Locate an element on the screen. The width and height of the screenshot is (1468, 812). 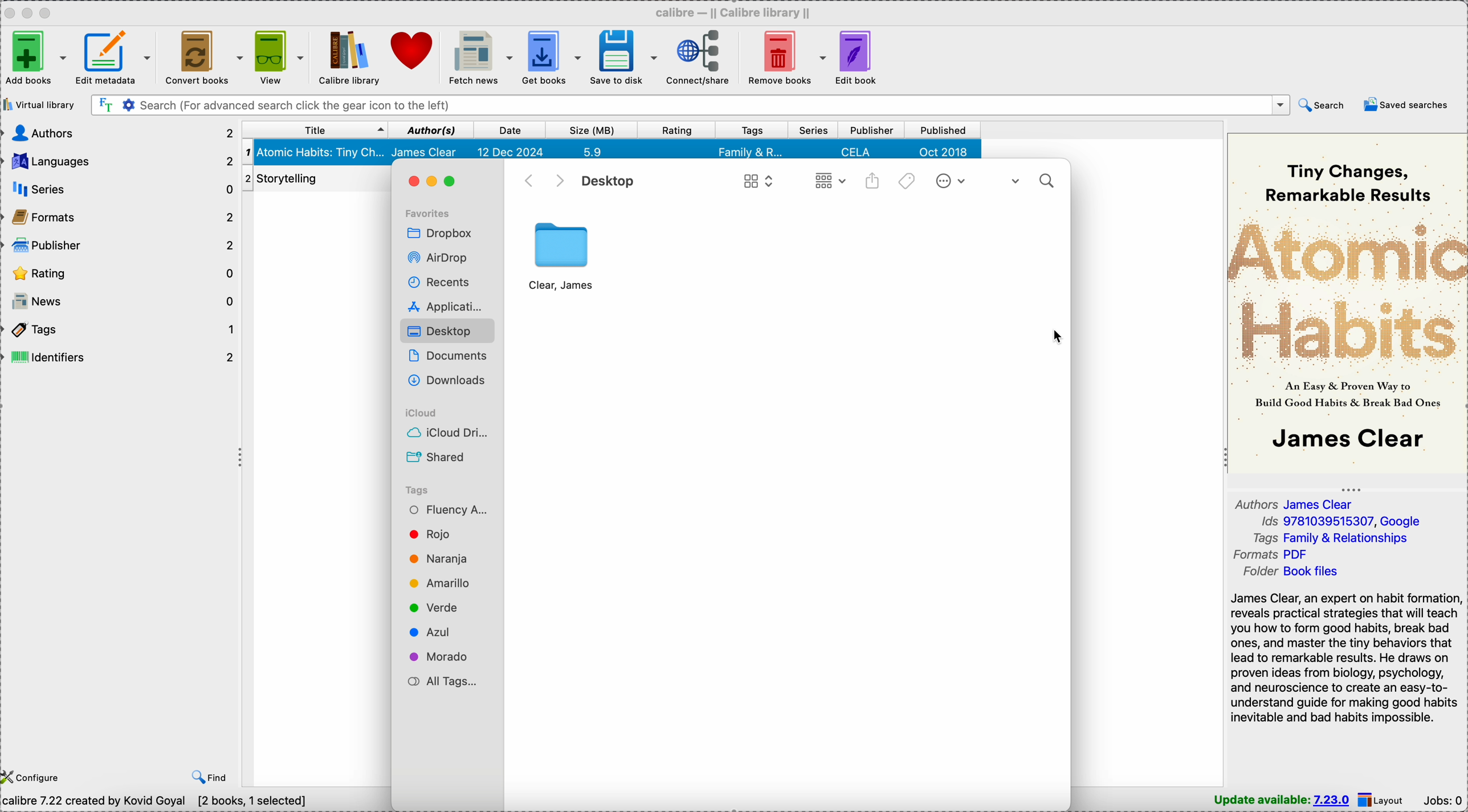
languages is located at coordinates (119, 162).